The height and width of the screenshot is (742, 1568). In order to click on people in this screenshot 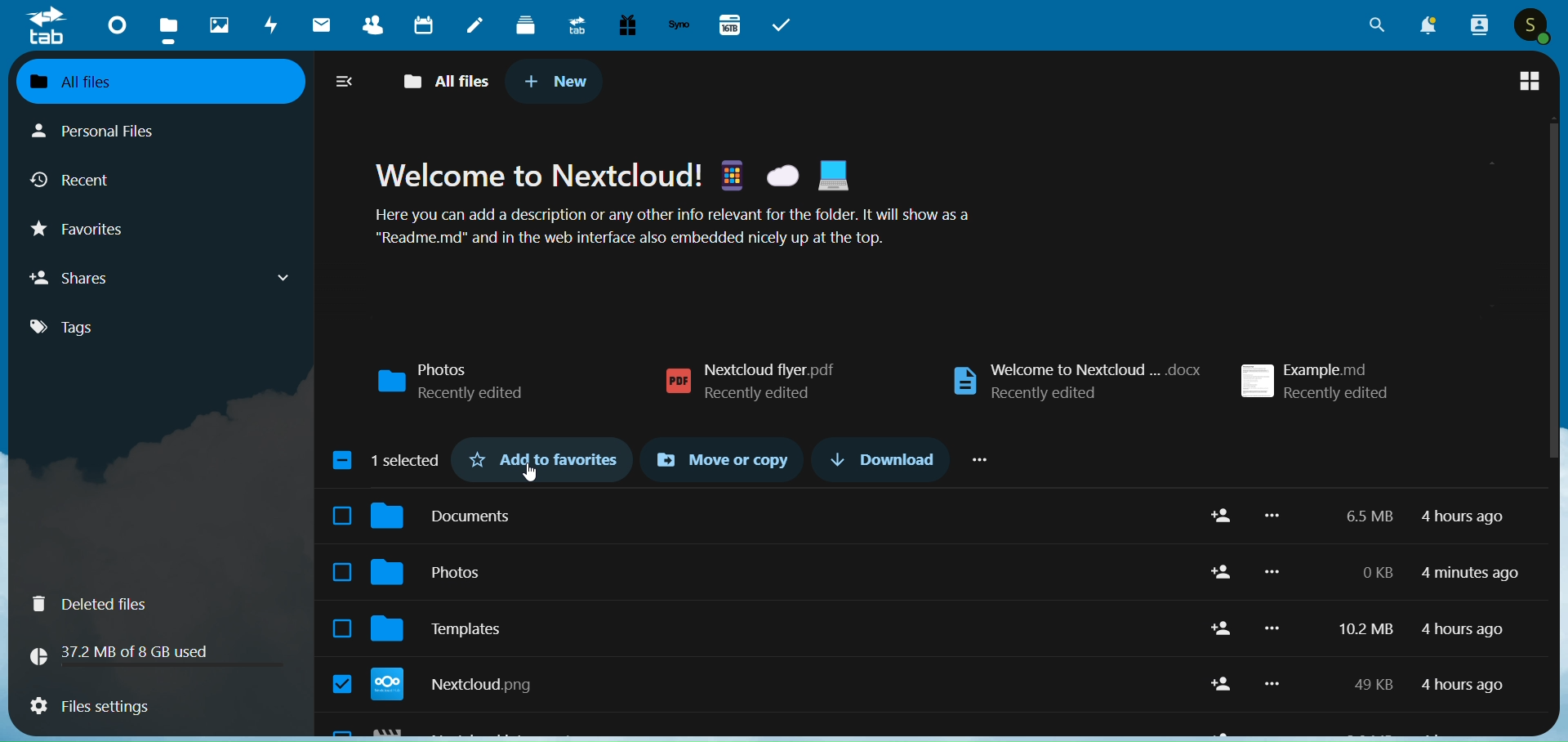, I will do `click(1480, 26)`.